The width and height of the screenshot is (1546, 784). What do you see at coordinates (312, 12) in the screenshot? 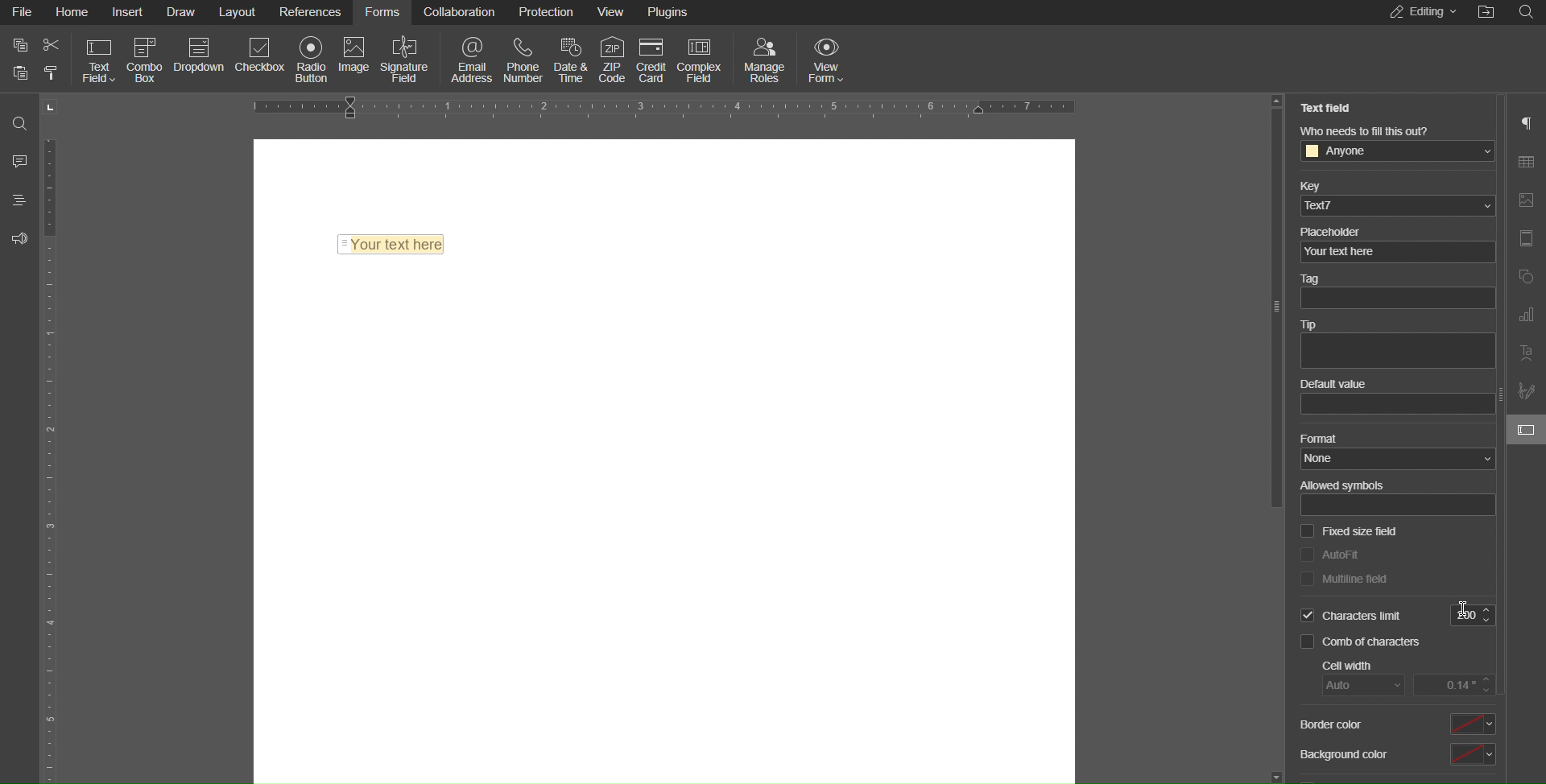
I see `References` at bounding box center [312, 12].